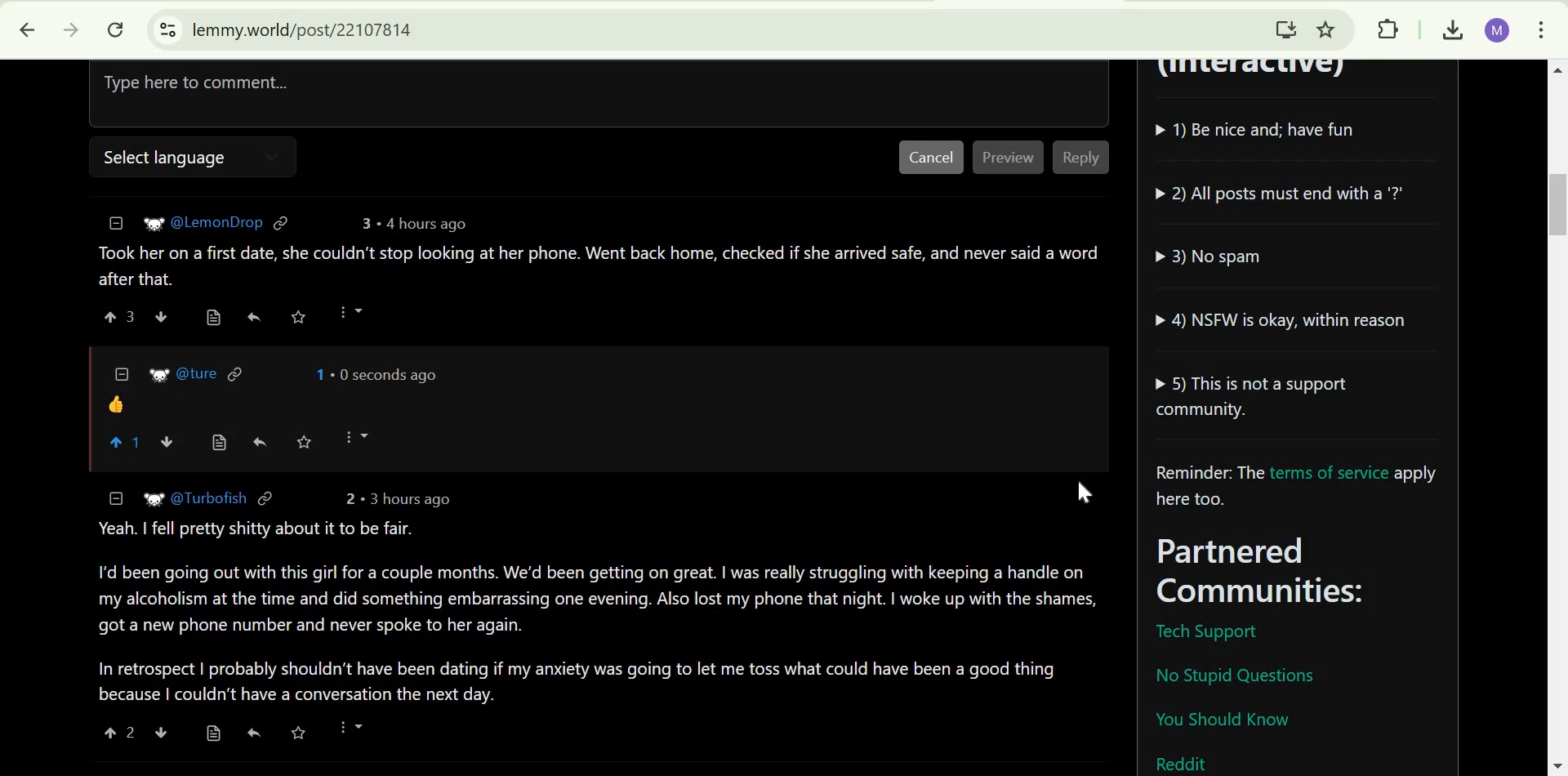 Image resolution: width=1568 pixels, height=776 pixels. What do you see at coordinates (1223, 722) in the screenshot?
I see `You should know` at bounding box center [1223, 722].